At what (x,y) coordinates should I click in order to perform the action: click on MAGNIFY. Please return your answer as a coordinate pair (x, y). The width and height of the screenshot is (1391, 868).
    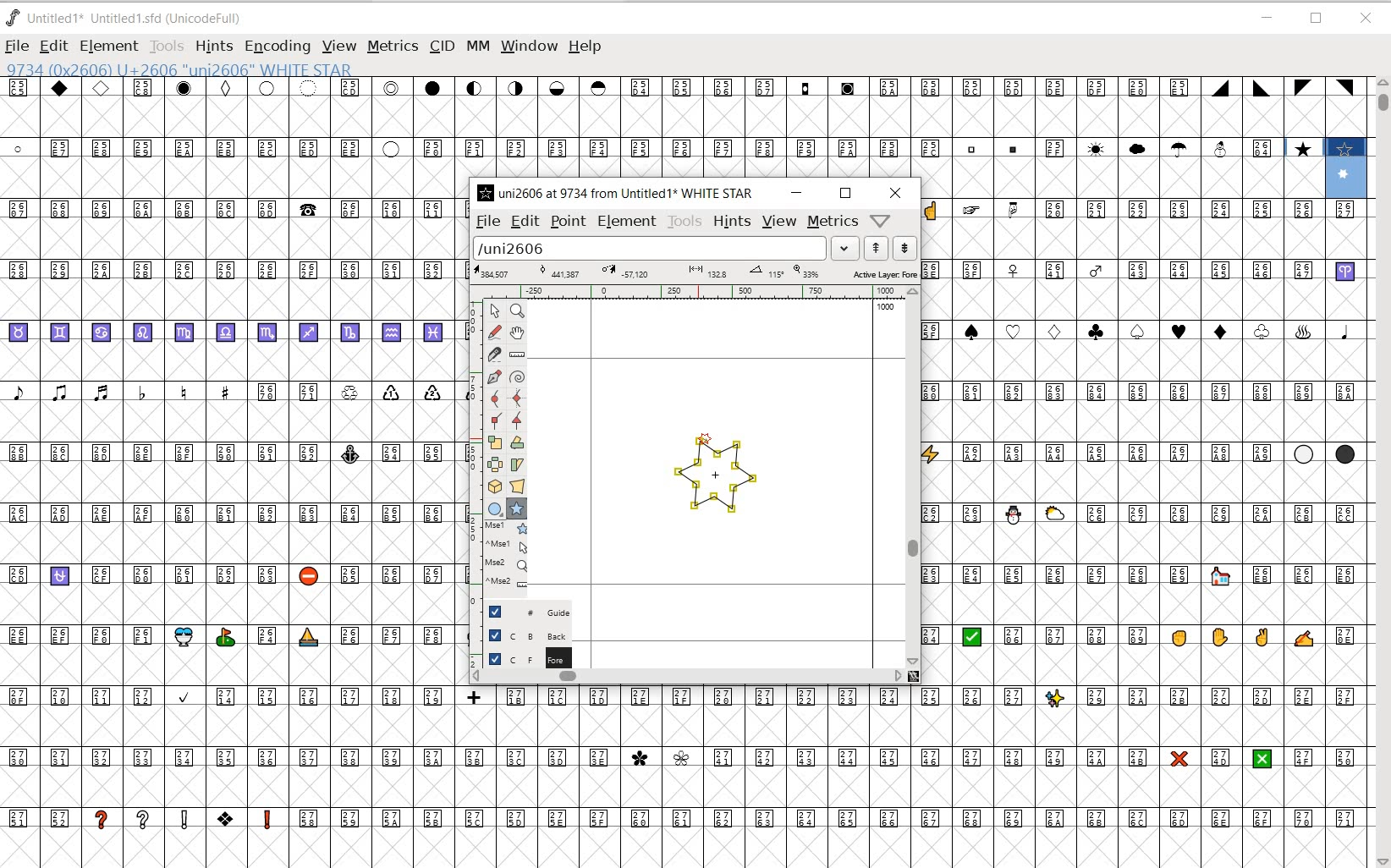
    Looking at the image, I should click on (517, 312).